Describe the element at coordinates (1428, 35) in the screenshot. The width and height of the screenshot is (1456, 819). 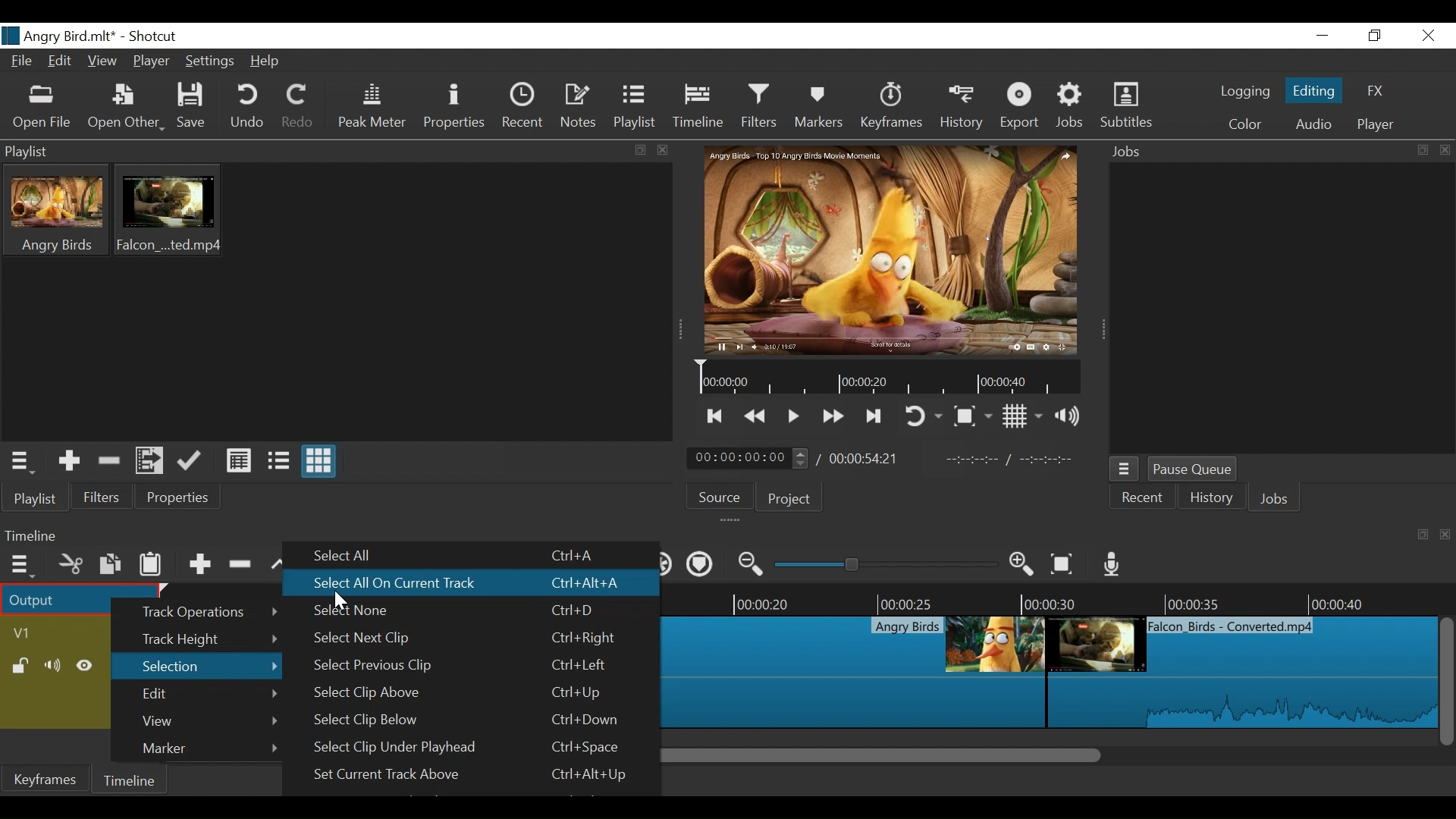
I see `Close` at that location.